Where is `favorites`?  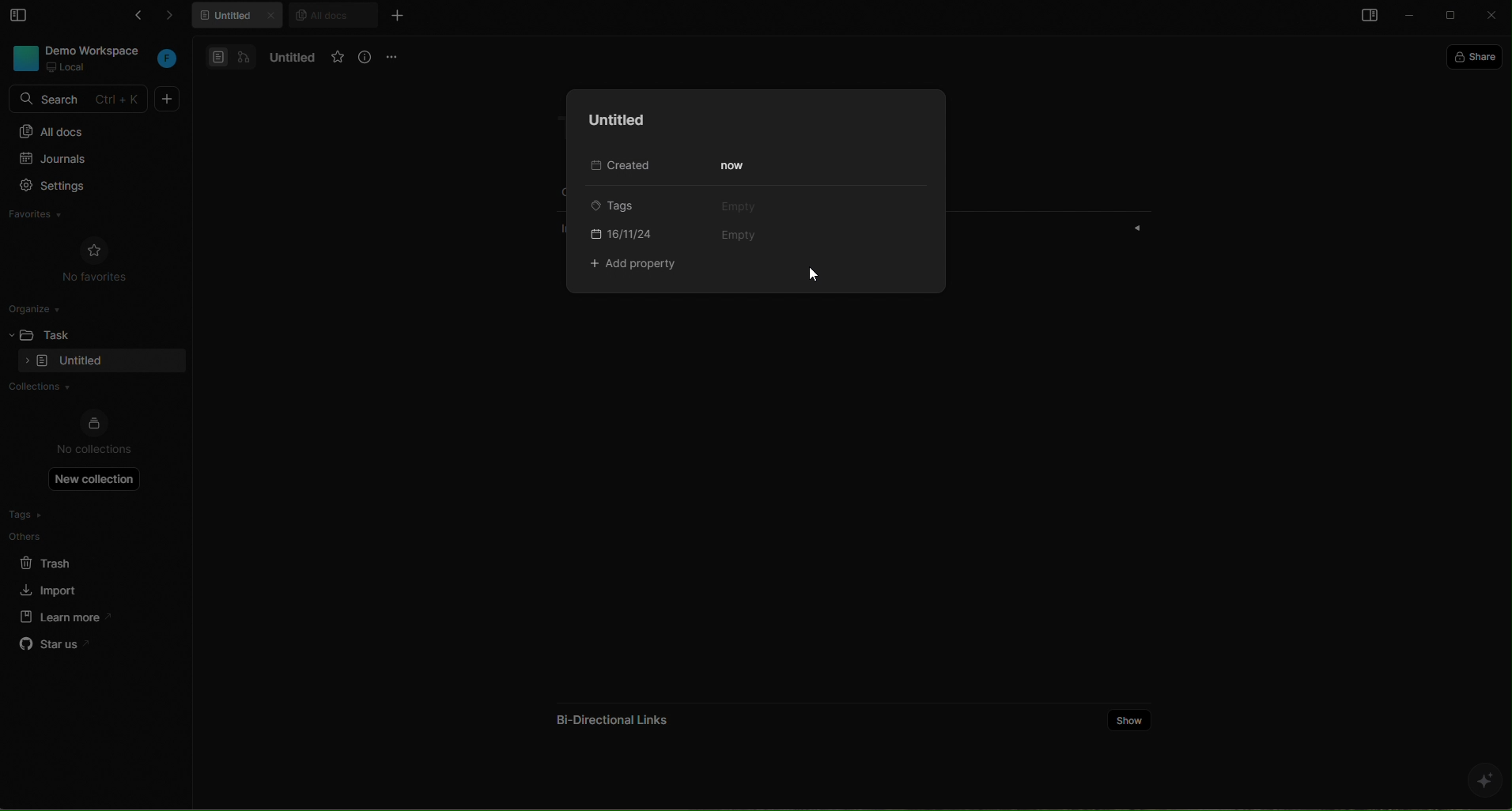
favorites is located at coordinates (338, 58).